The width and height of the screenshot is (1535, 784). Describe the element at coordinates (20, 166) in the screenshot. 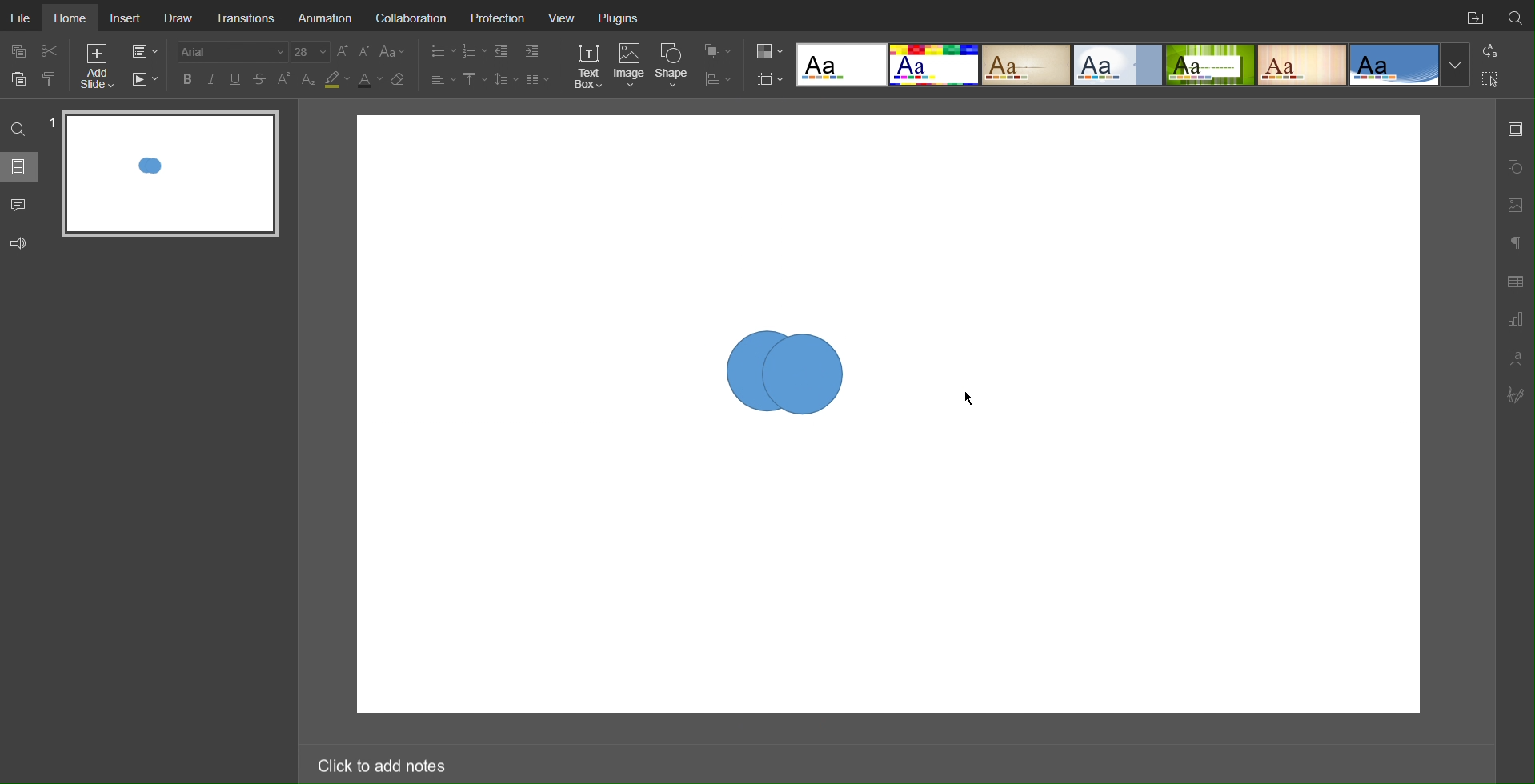

I see `Slides` at that location.